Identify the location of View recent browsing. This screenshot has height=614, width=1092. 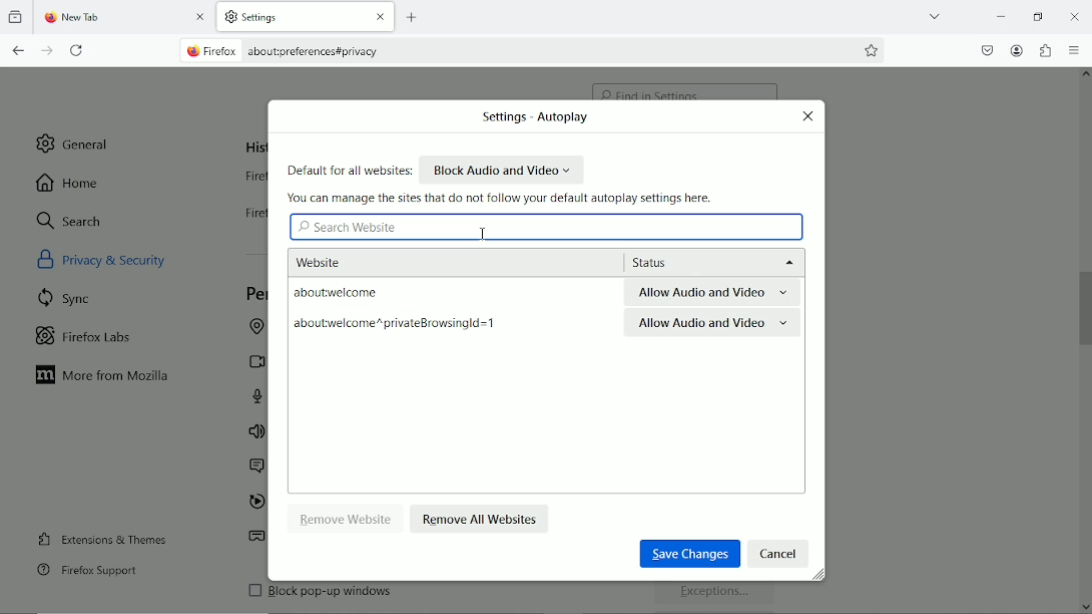
(17, 18).